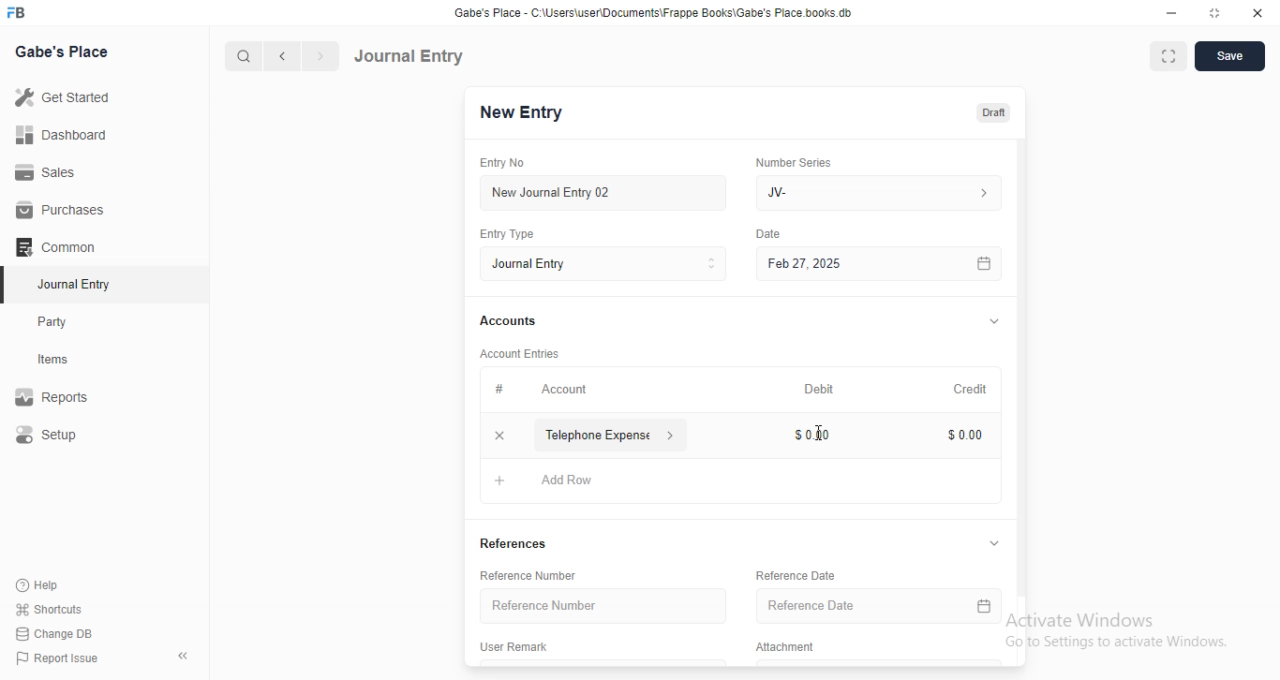 The height and width of the screenshot is (680, 1280). I want to click on Dashboard, so click(62, 135).